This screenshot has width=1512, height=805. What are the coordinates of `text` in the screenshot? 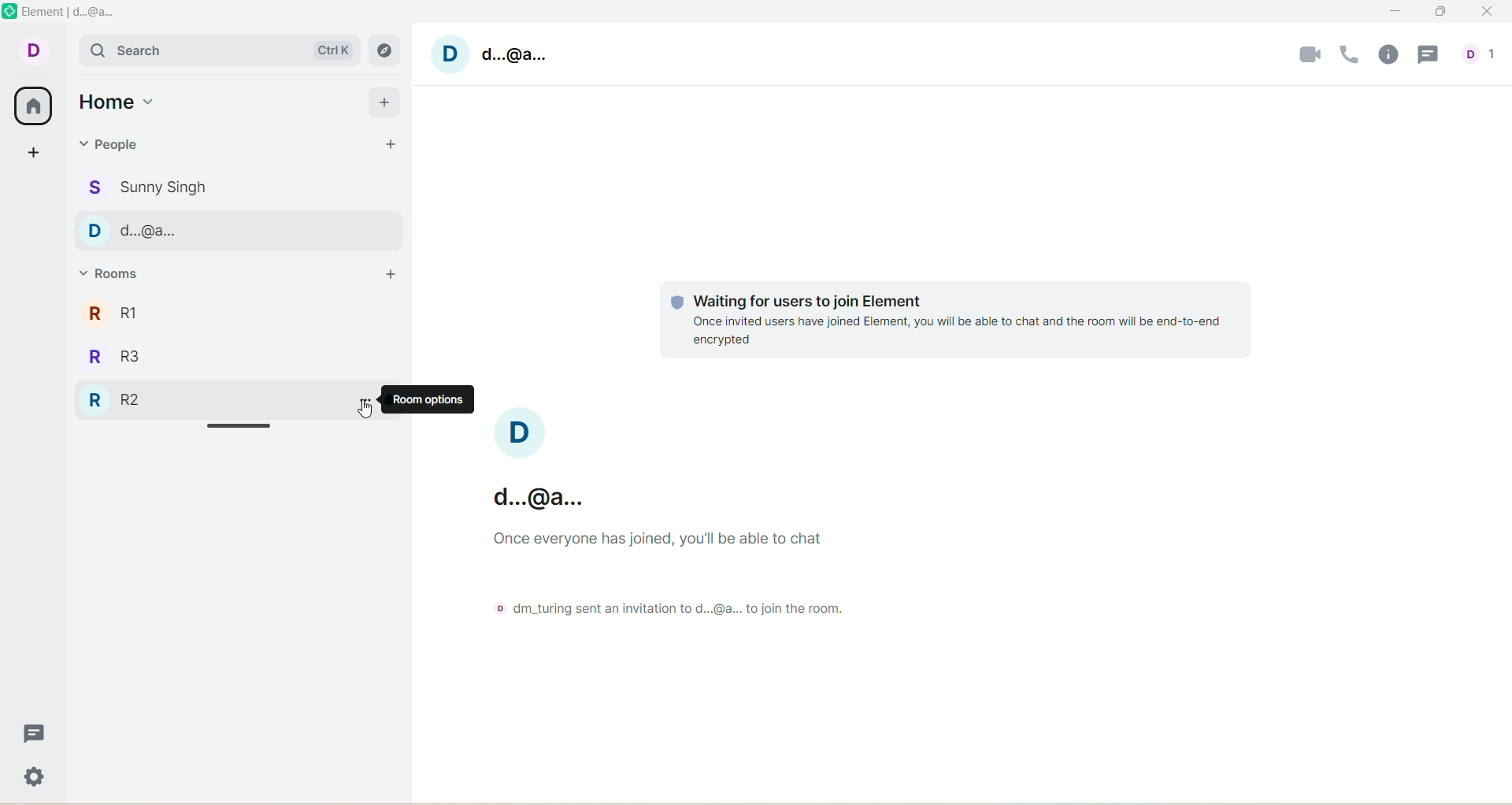 It's located at (963, 321).